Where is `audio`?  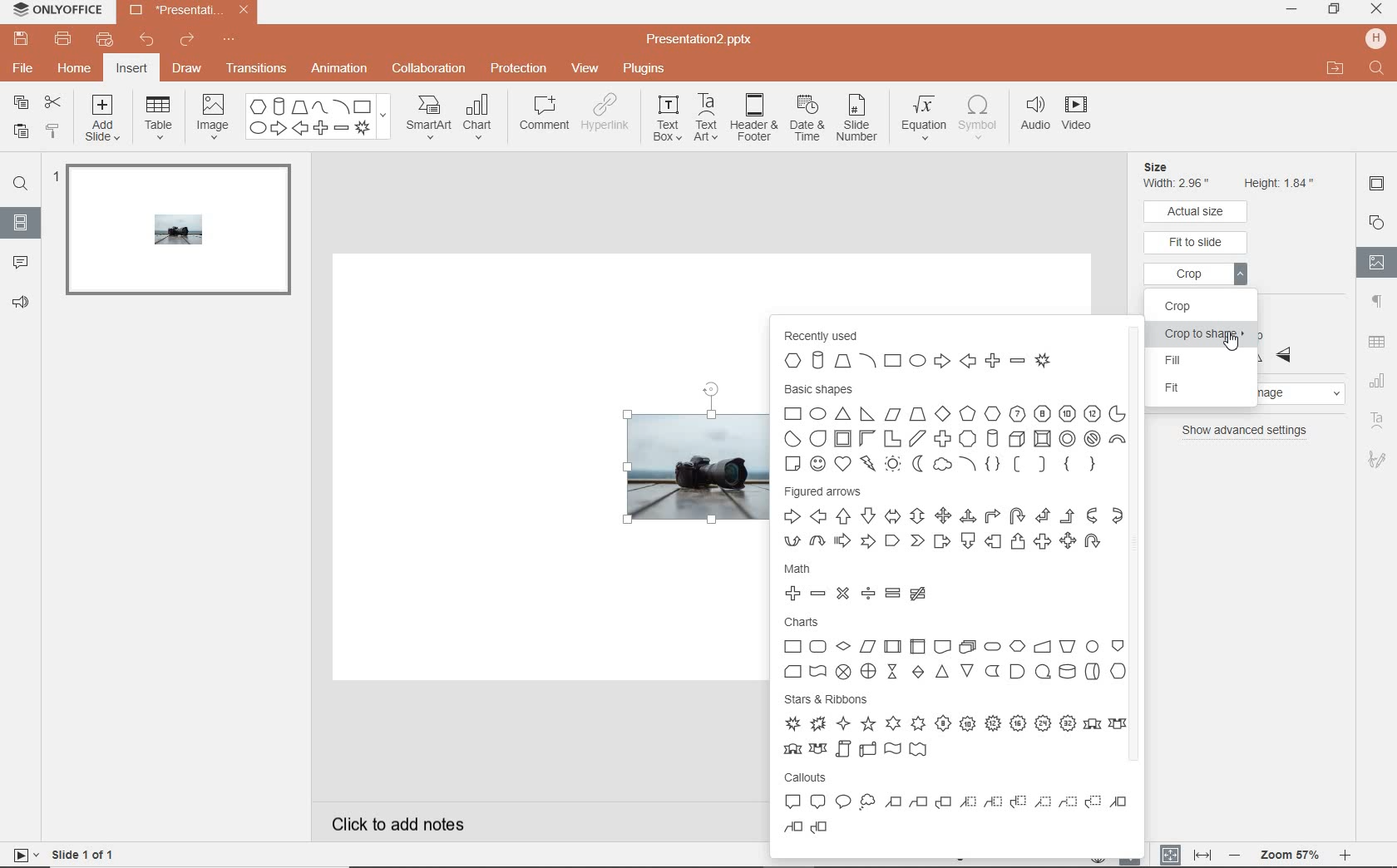 audio is located at coordinates (1034, 116).